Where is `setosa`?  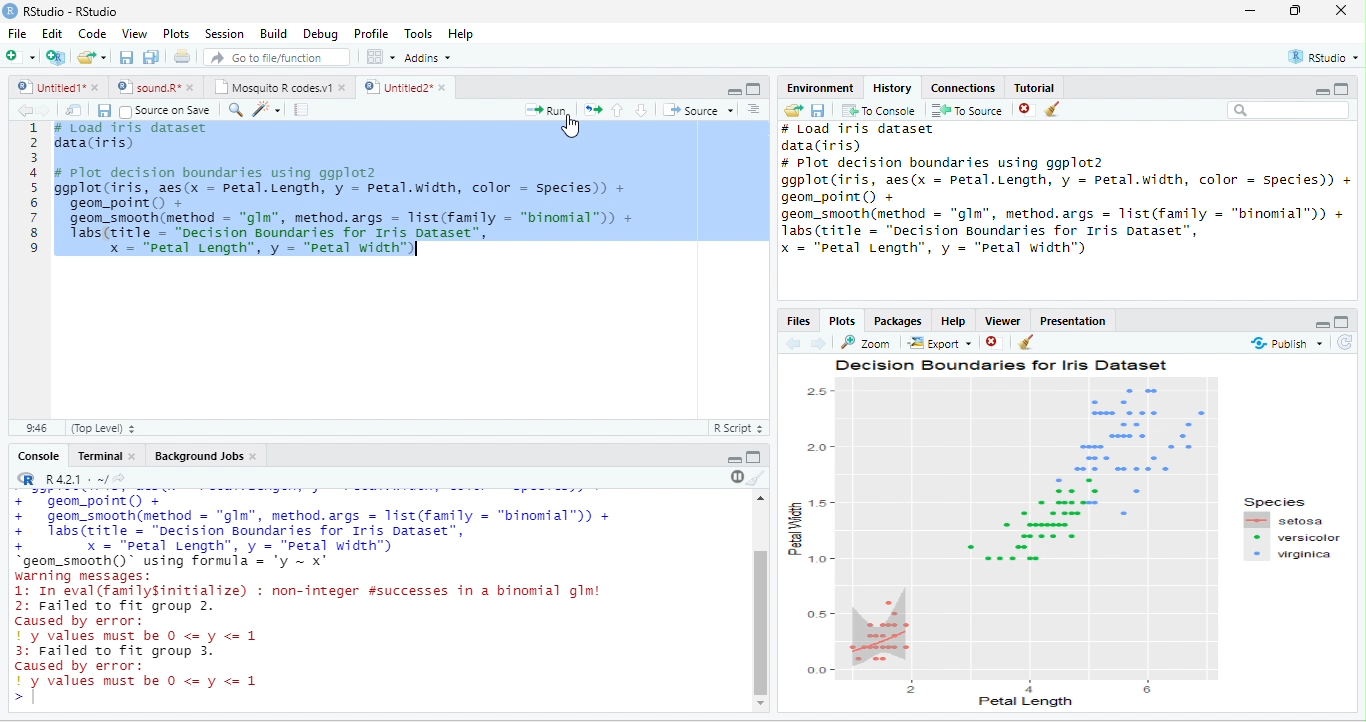 setosa is located at coordinates (1286, 520).